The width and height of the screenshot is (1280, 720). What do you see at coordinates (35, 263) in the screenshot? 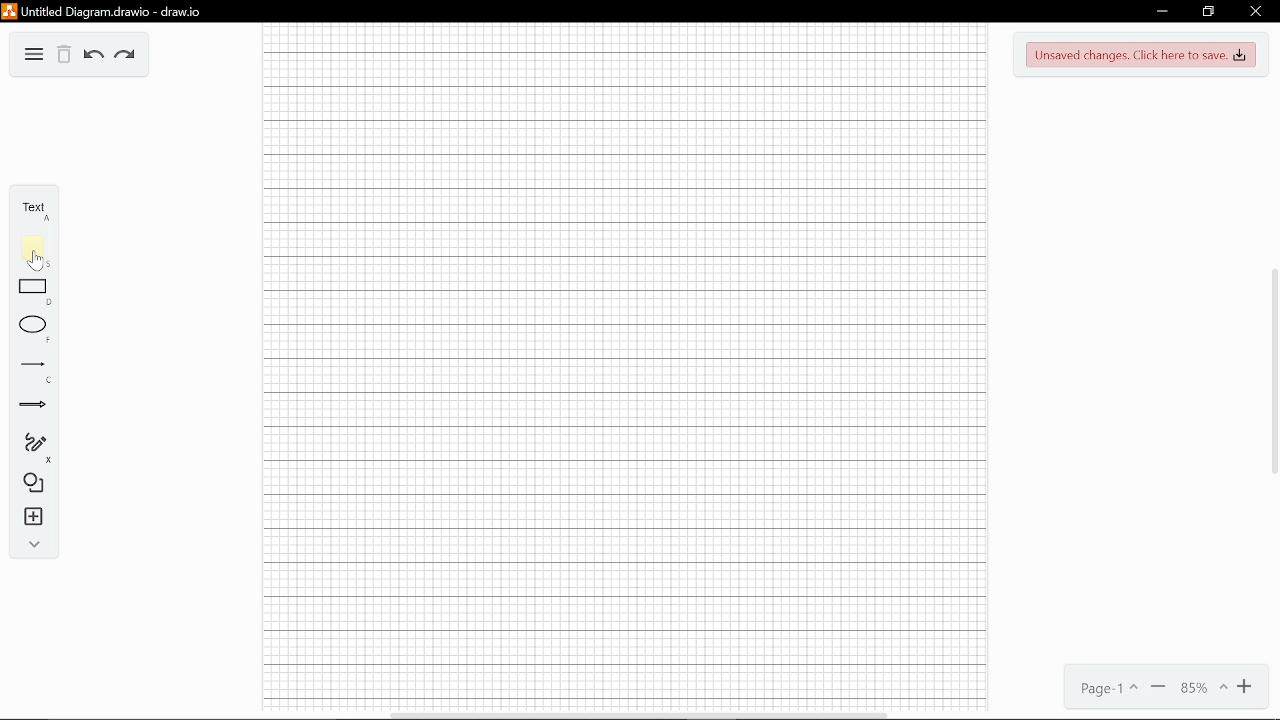
I see `pointer` at bounding box center [35, 263].